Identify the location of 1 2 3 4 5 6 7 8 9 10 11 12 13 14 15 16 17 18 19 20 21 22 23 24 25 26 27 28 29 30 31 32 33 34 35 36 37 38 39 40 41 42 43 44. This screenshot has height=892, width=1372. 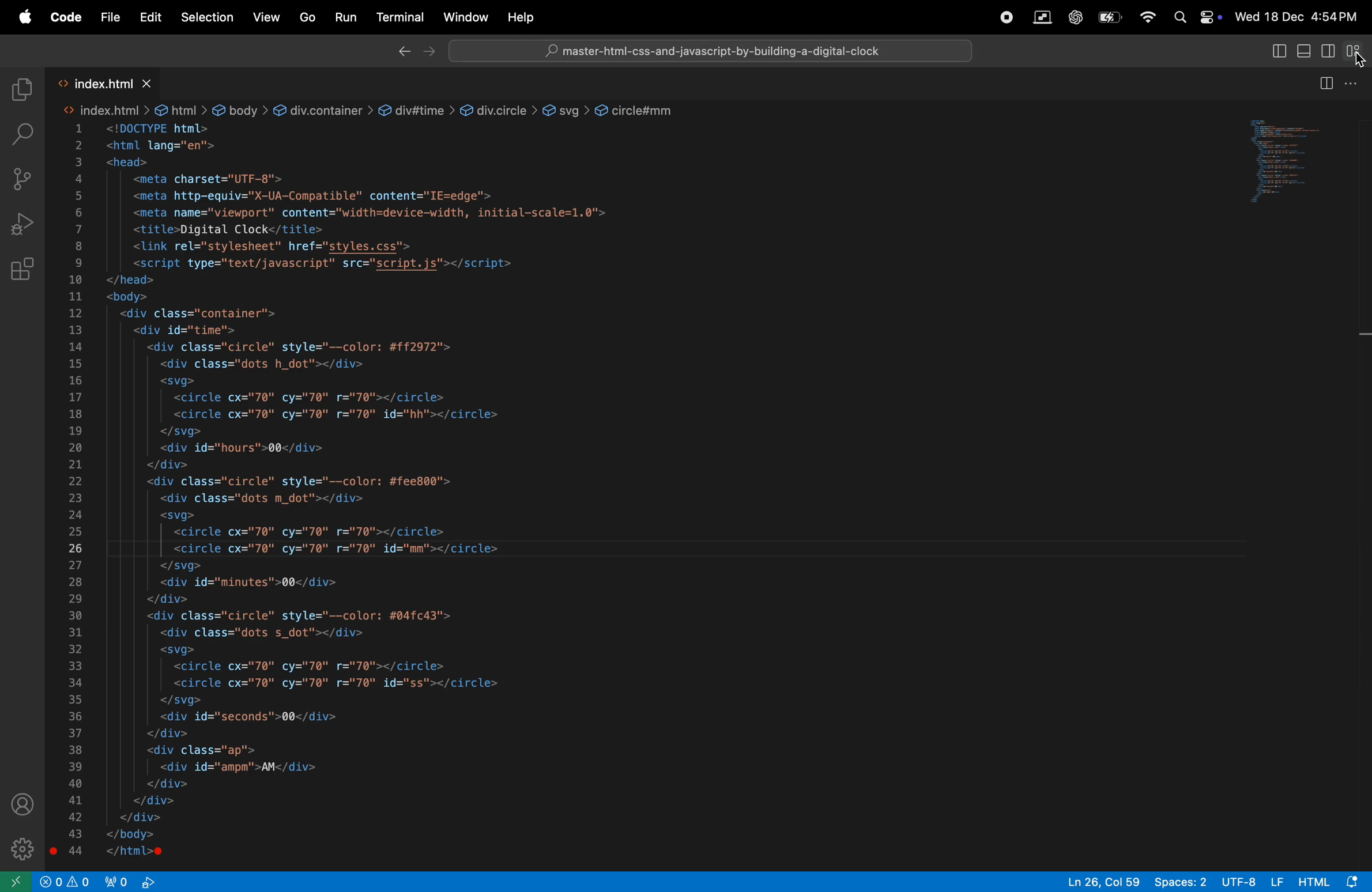
(73, 494).